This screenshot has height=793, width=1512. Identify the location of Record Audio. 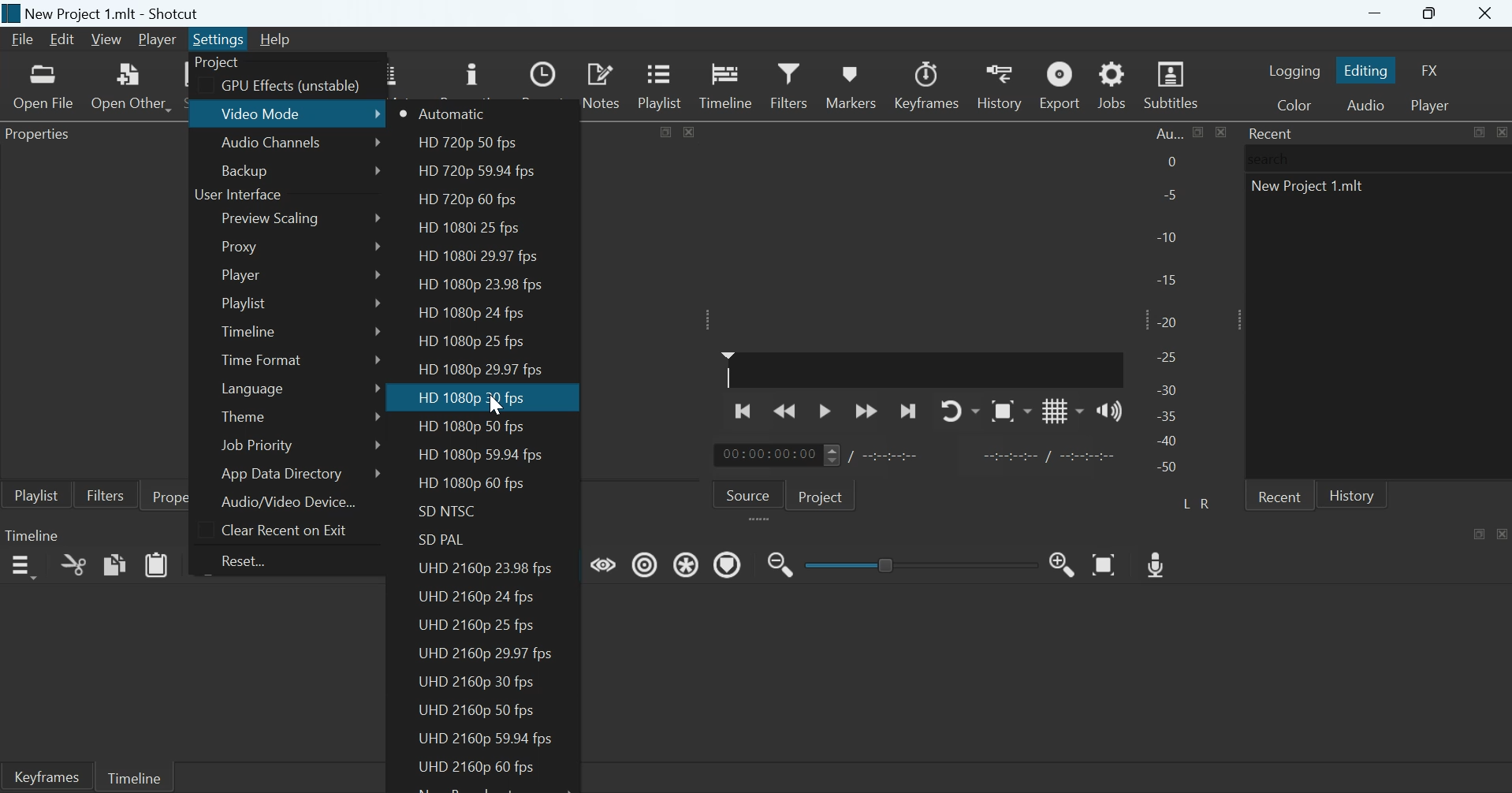
(1158, 563).